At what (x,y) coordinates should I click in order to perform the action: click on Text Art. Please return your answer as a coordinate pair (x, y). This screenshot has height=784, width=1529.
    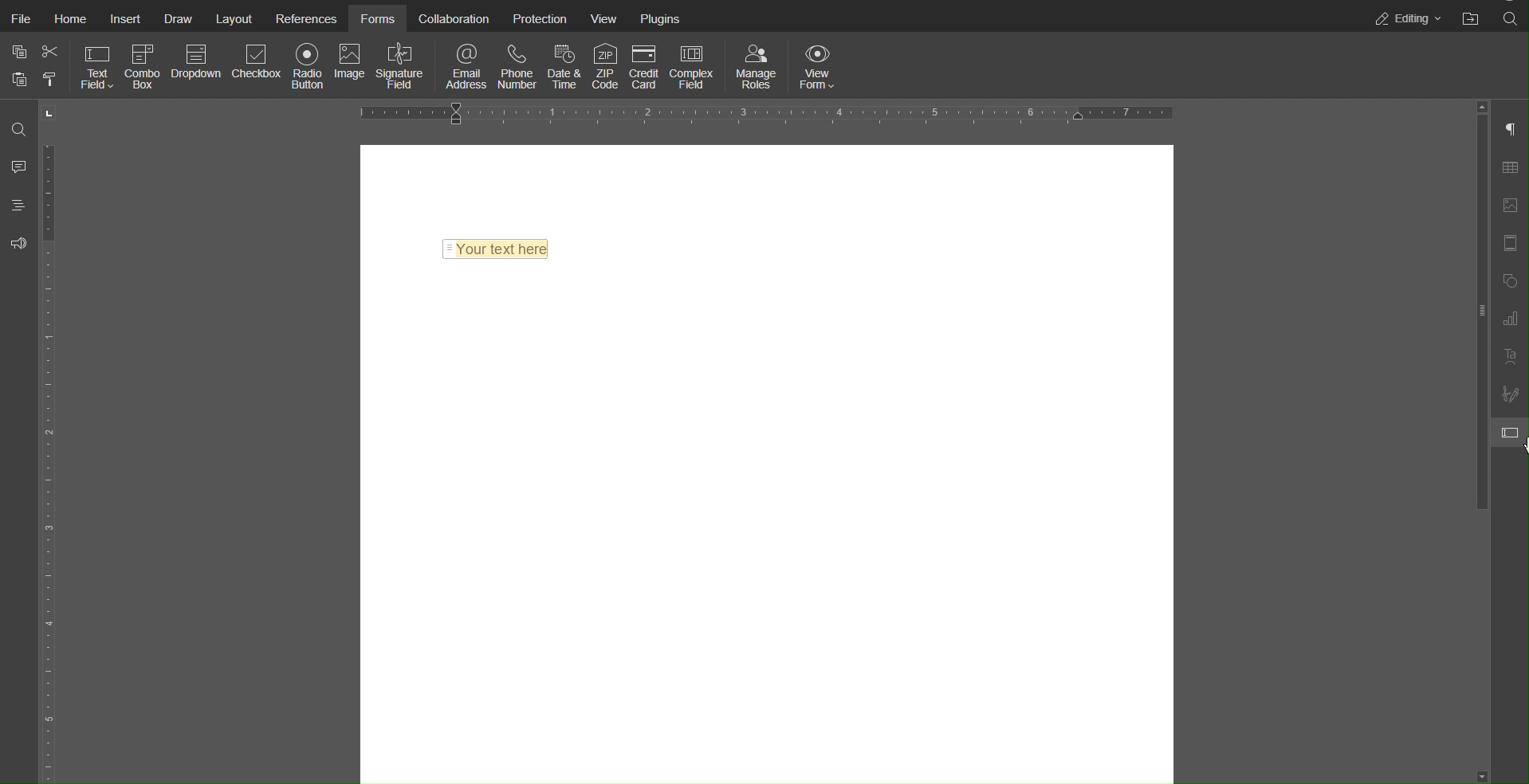
    Looking at the image, I should click on (1509, 358).